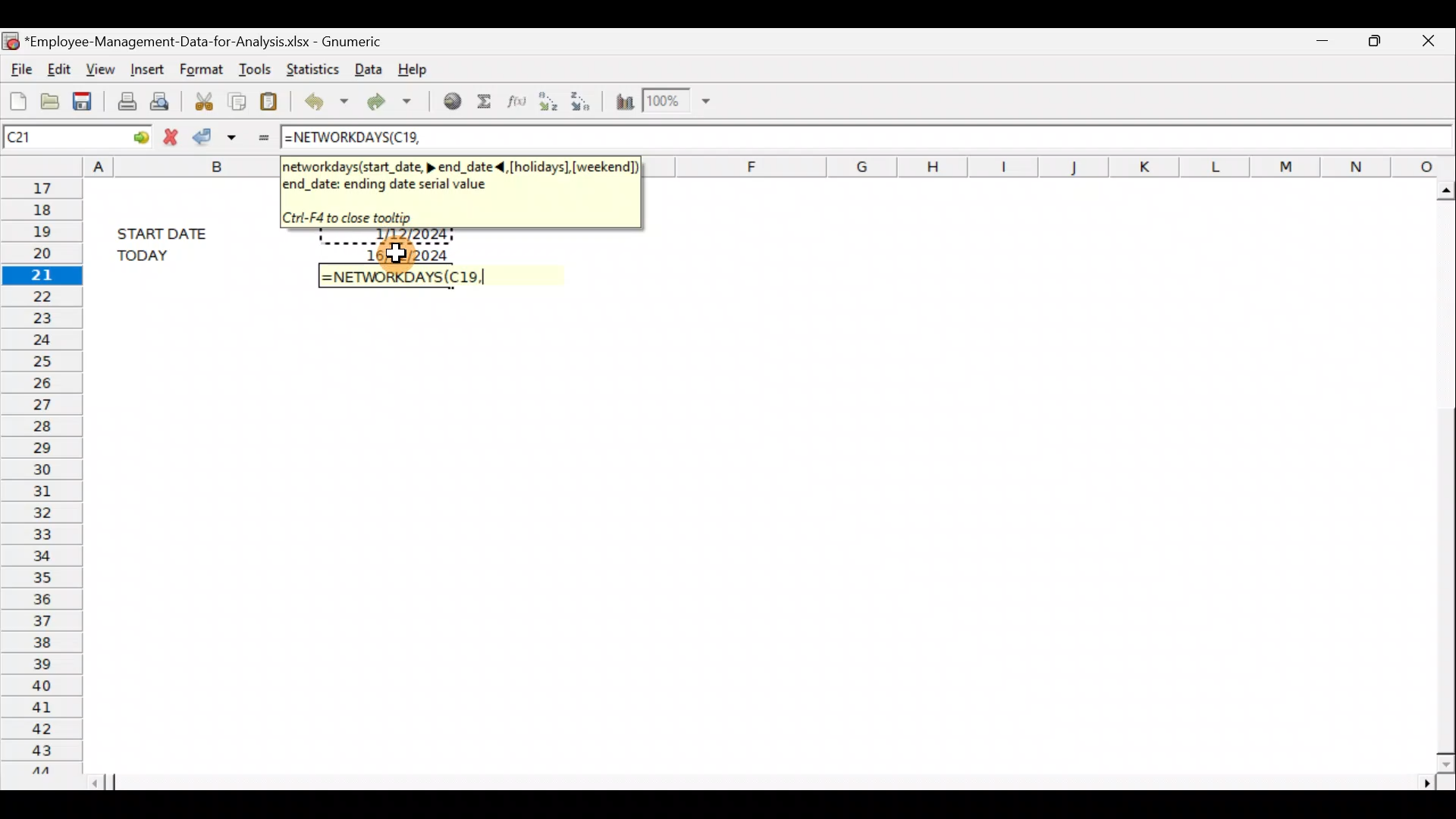 The height and width of the screenshot is (819, 1456). Describe the element at coordinates (239, 99) in the screenshot. I see `Copy the selection` at that location.